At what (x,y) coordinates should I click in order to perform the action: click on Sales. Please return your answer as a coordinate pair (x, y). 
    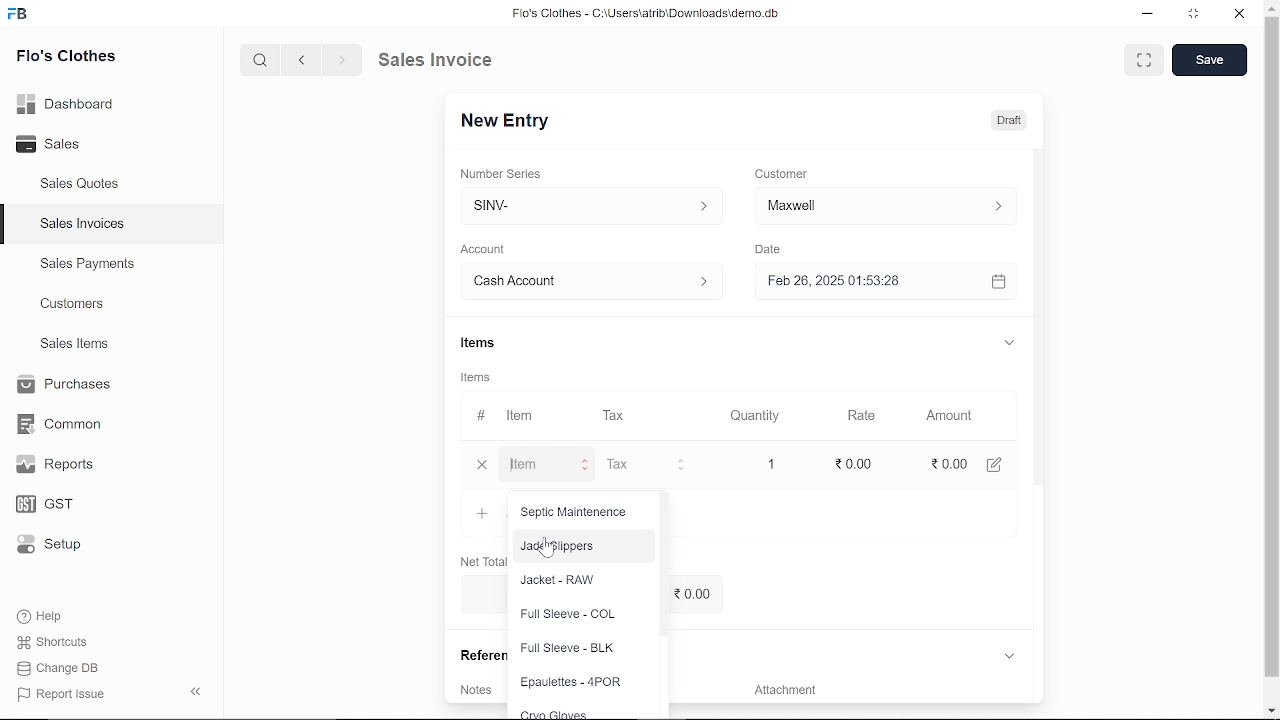
    Looking at the image, I should click on (70, 145).